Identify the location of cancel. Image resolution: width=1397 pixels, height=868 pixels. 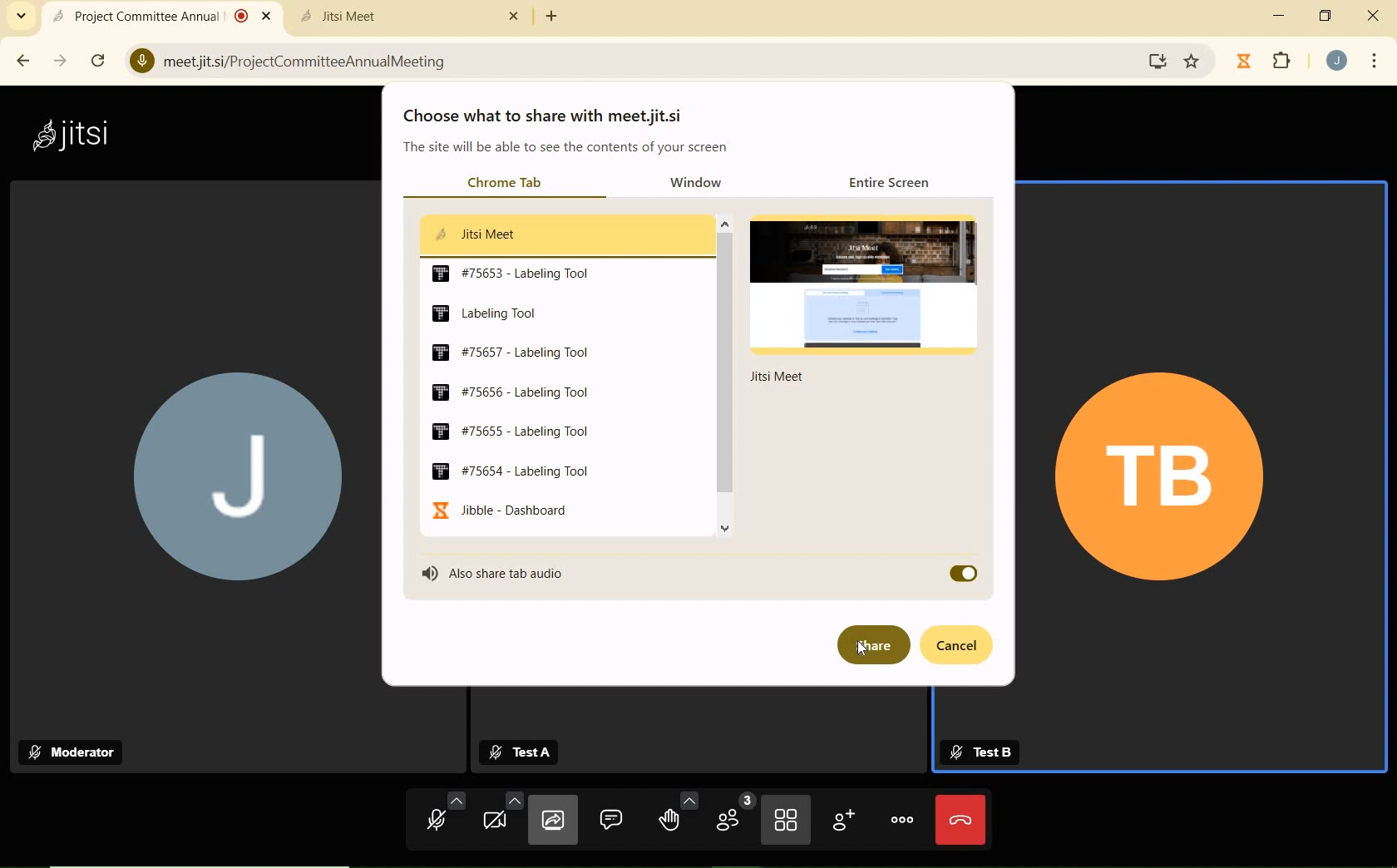
(959, 645).